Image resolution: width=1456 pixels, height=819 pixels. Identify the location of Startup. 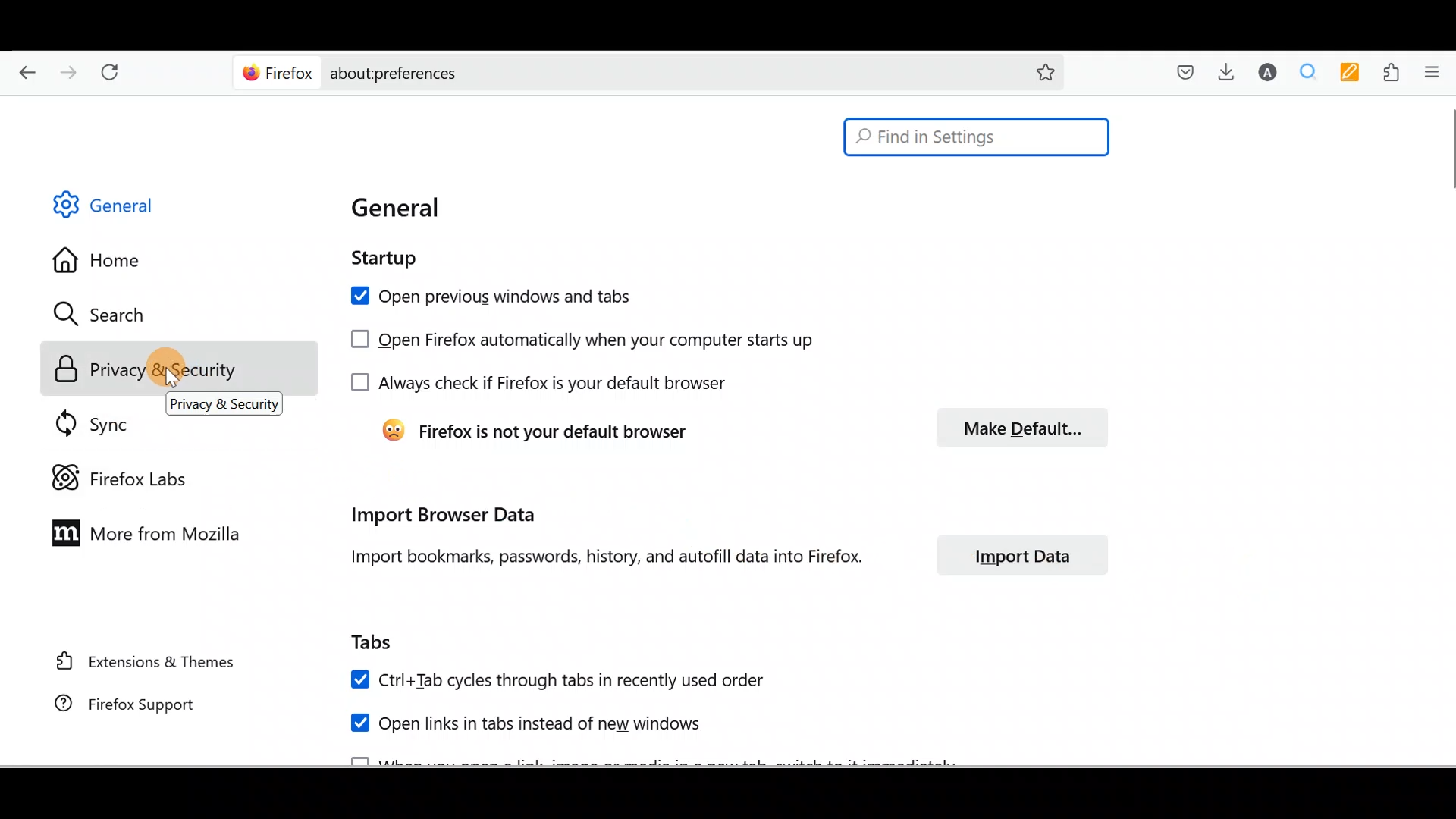
(401, 259).